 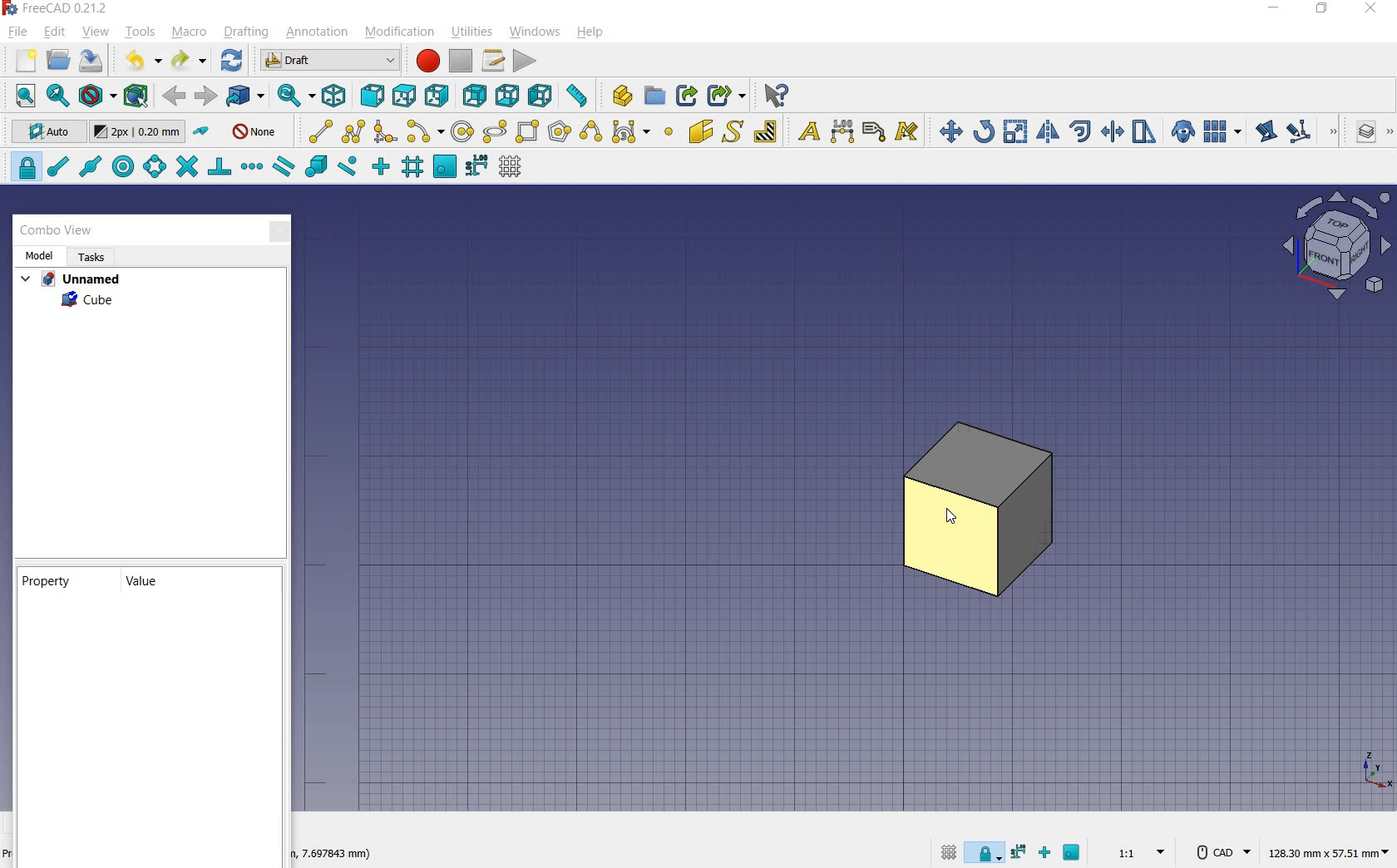 I want to click on shape from text, so click(x=734, y=131).